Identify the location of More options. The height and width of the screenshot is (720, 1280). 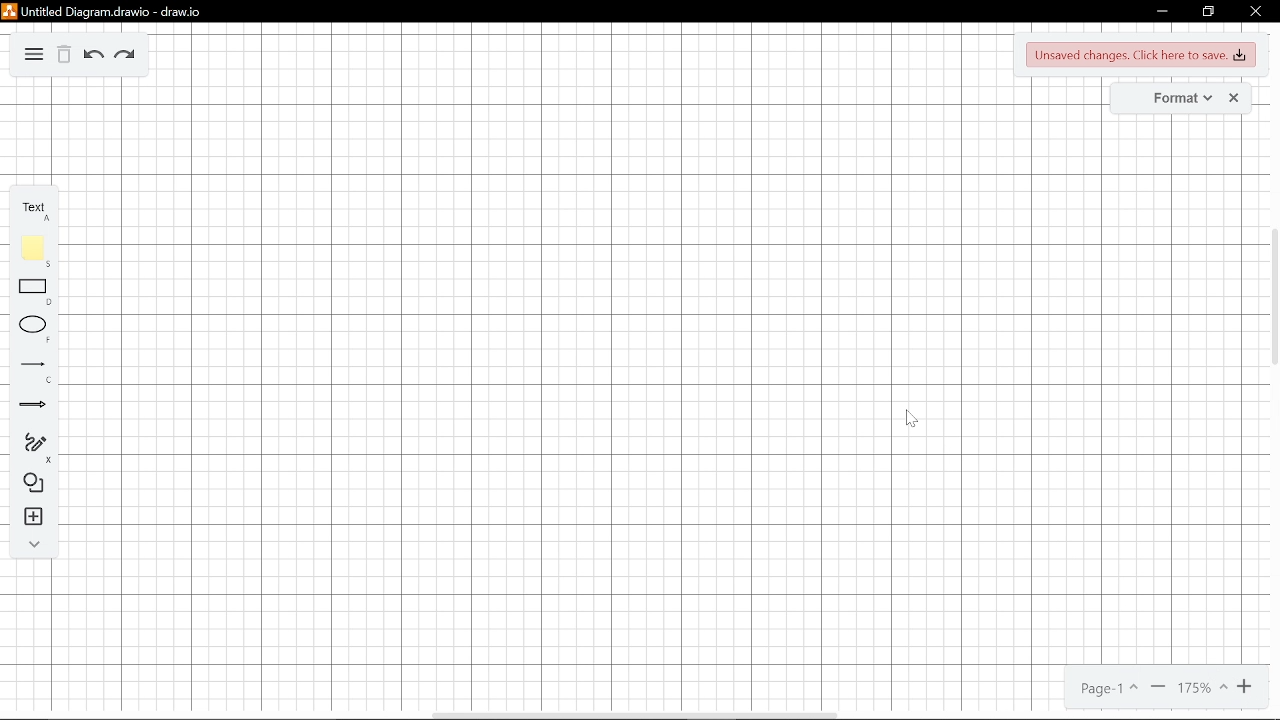
(33, 55).